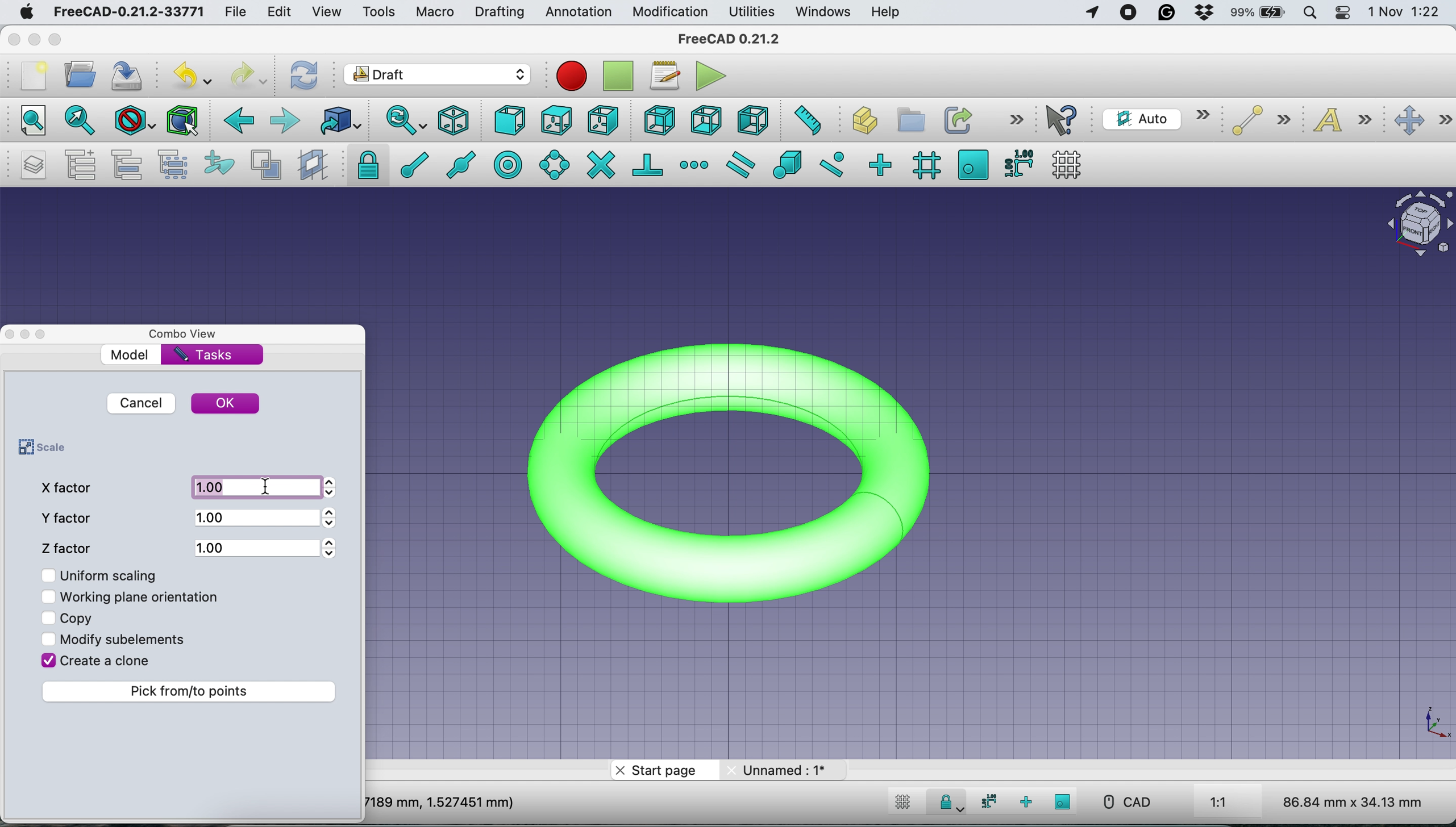 This screenshot has width=1456, height=827. Describe the element at coordinates (833, 164) in the screenshot. I see `snap near` at that location.